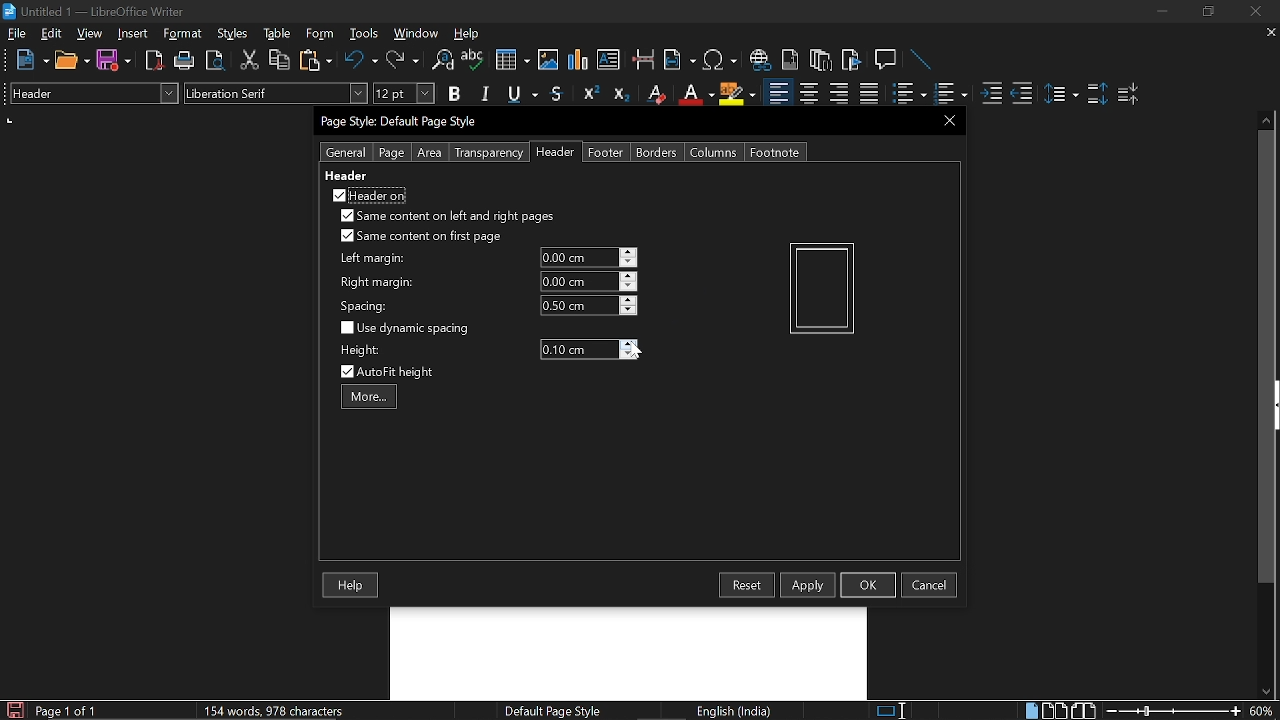  Describe the element at coordinates (761, 60) in the screenshot. I see `Insert hyperlink` at that location.